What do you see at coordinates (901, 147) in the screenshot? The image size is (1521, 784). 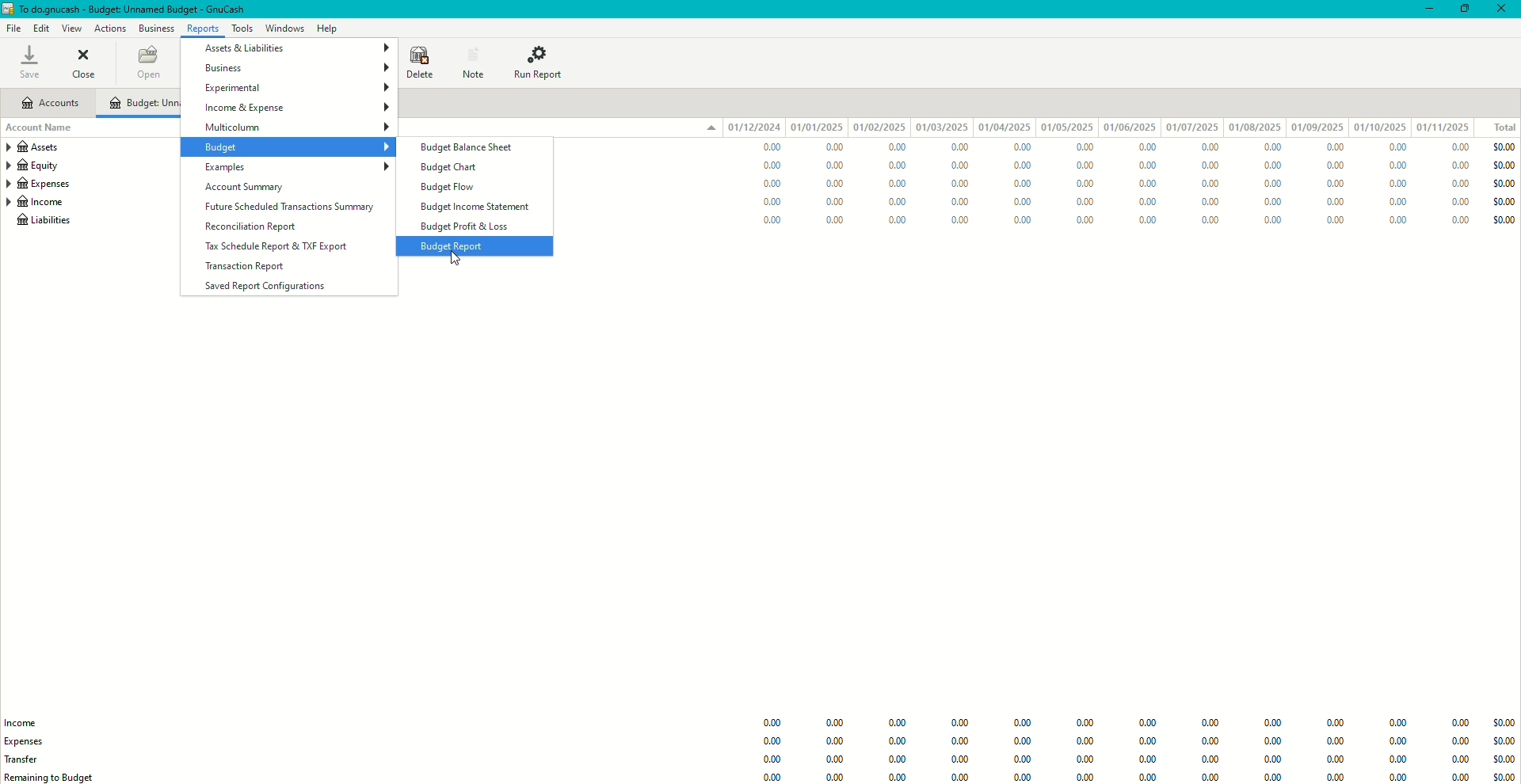 I see `0.00` at bounding box center [901, 147].